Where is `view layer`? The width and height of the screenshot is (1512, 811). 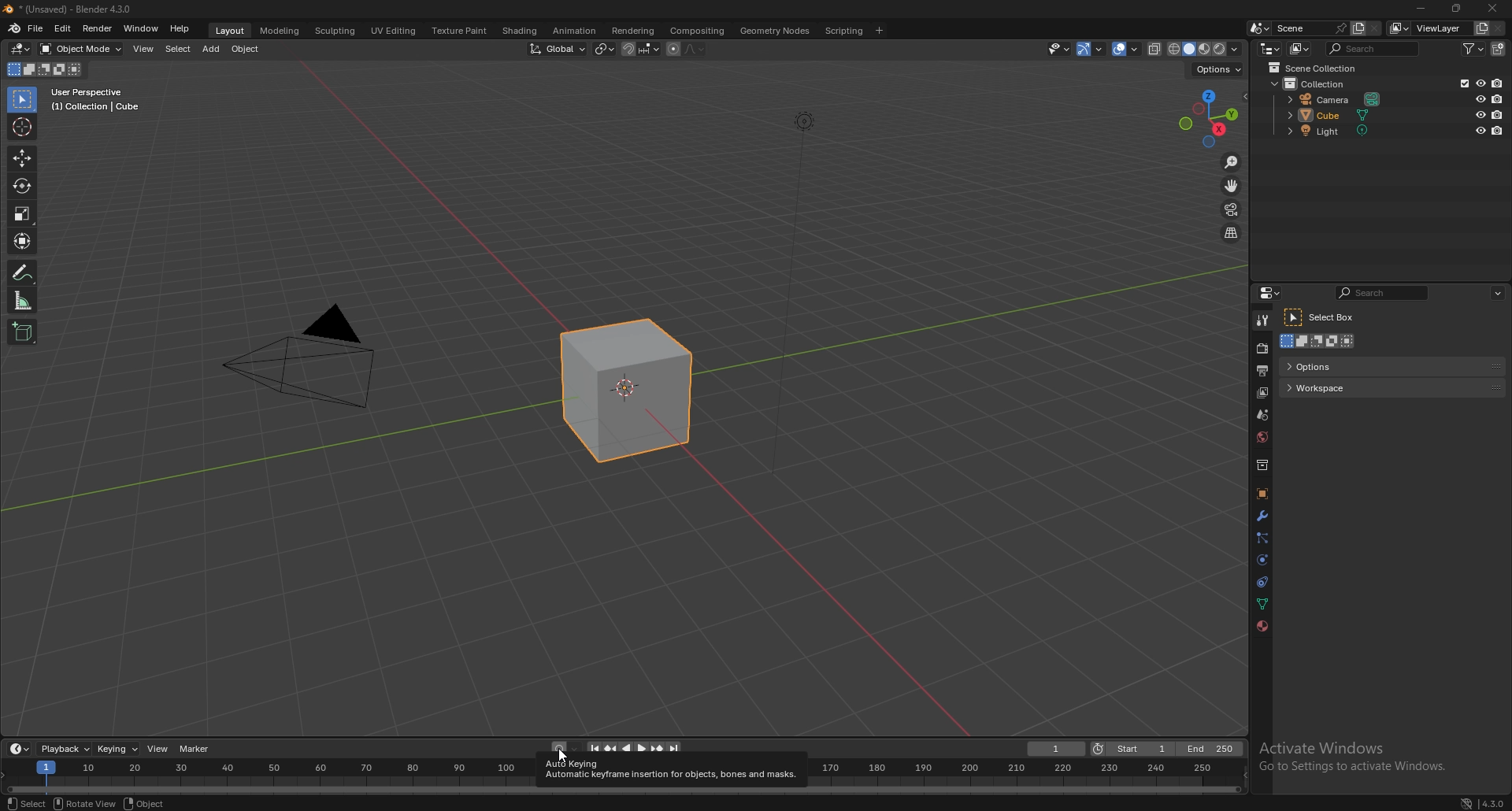 view layer is located at coordinates (1429, 28).